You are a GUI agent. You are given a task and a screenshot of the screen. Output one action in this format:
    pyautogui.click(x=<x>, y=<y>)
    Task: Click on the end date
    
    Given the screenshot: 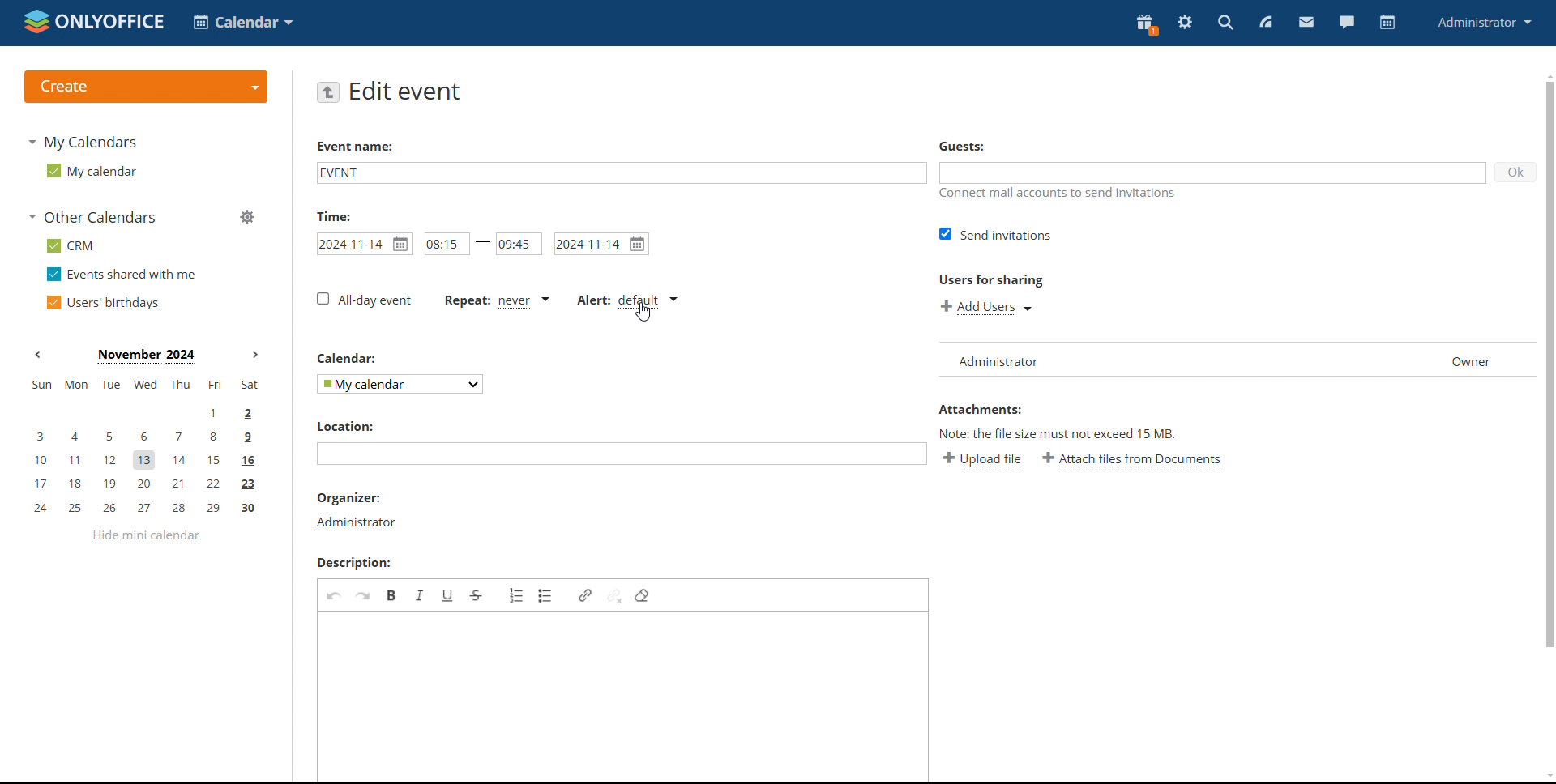 What is the action you would take?
    pyautogui.click(x=601, y=244)
    